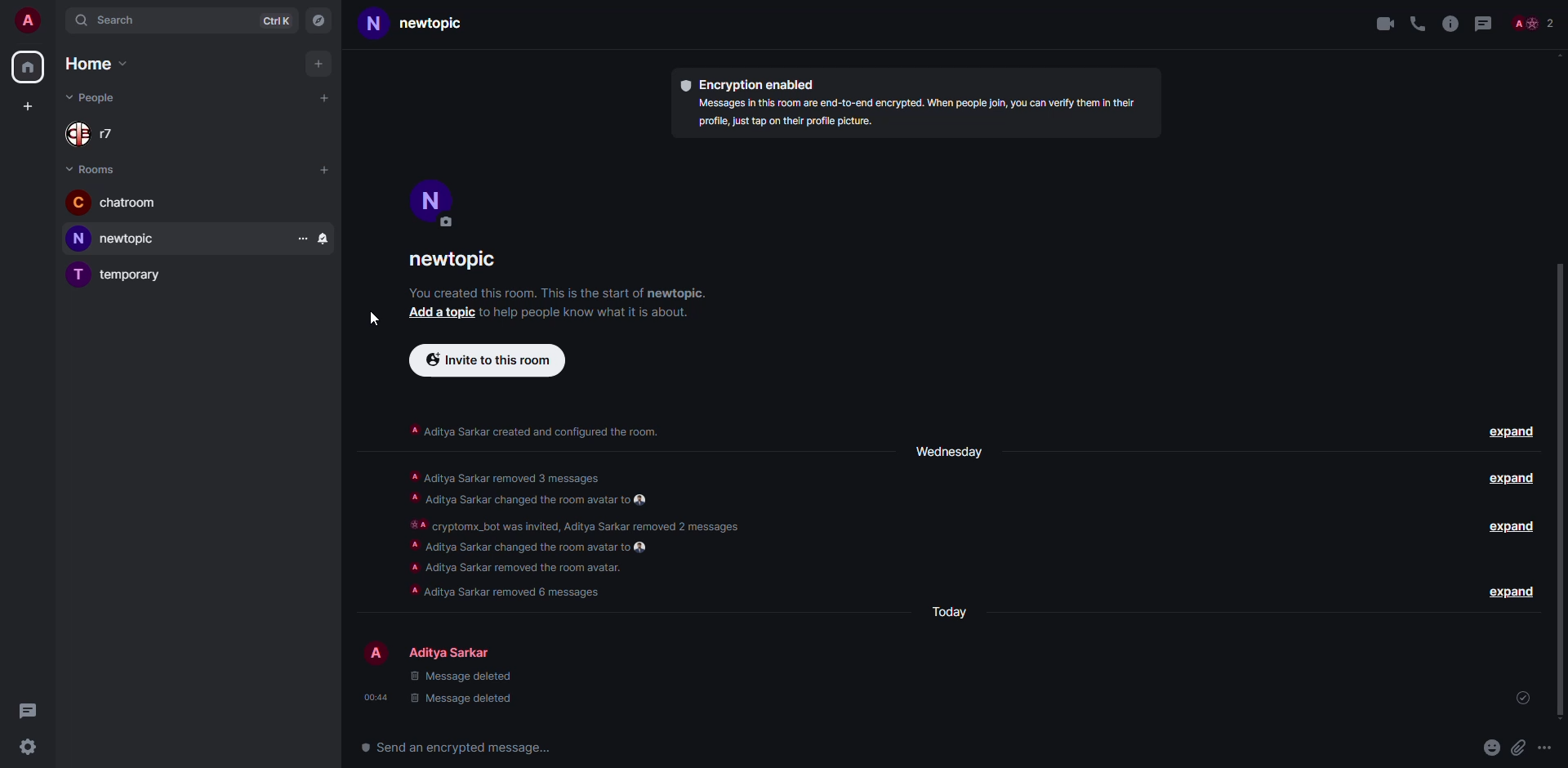 This screenshot has width=1568, height=768. What do you see at coordinates (26, 105) in the screenshot?
I see `add` at bounding box center [26, 105].